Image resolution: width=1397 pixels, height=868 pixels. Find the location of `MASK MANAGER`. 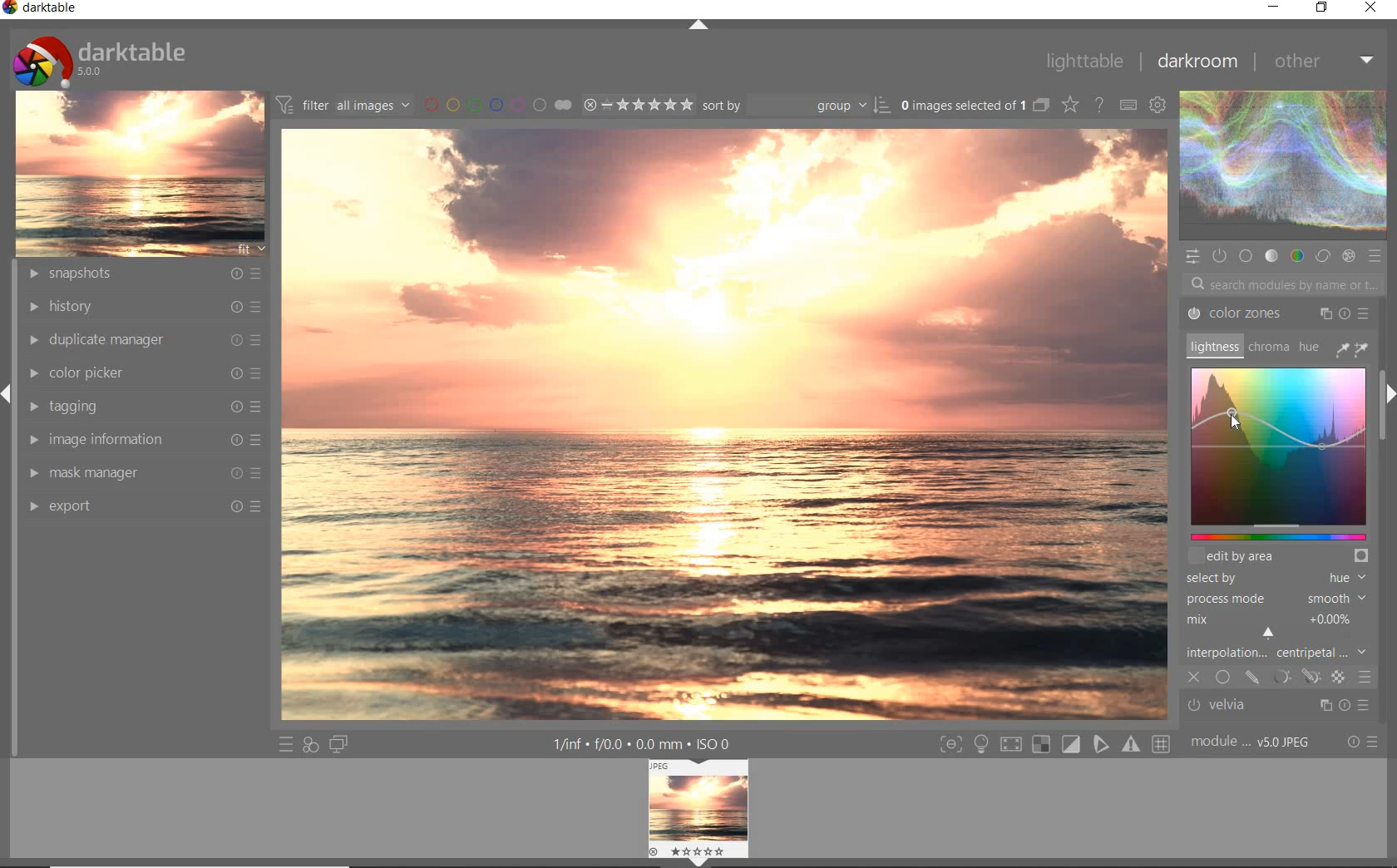

MASK MANAGER is located at coordinates (143, 472).